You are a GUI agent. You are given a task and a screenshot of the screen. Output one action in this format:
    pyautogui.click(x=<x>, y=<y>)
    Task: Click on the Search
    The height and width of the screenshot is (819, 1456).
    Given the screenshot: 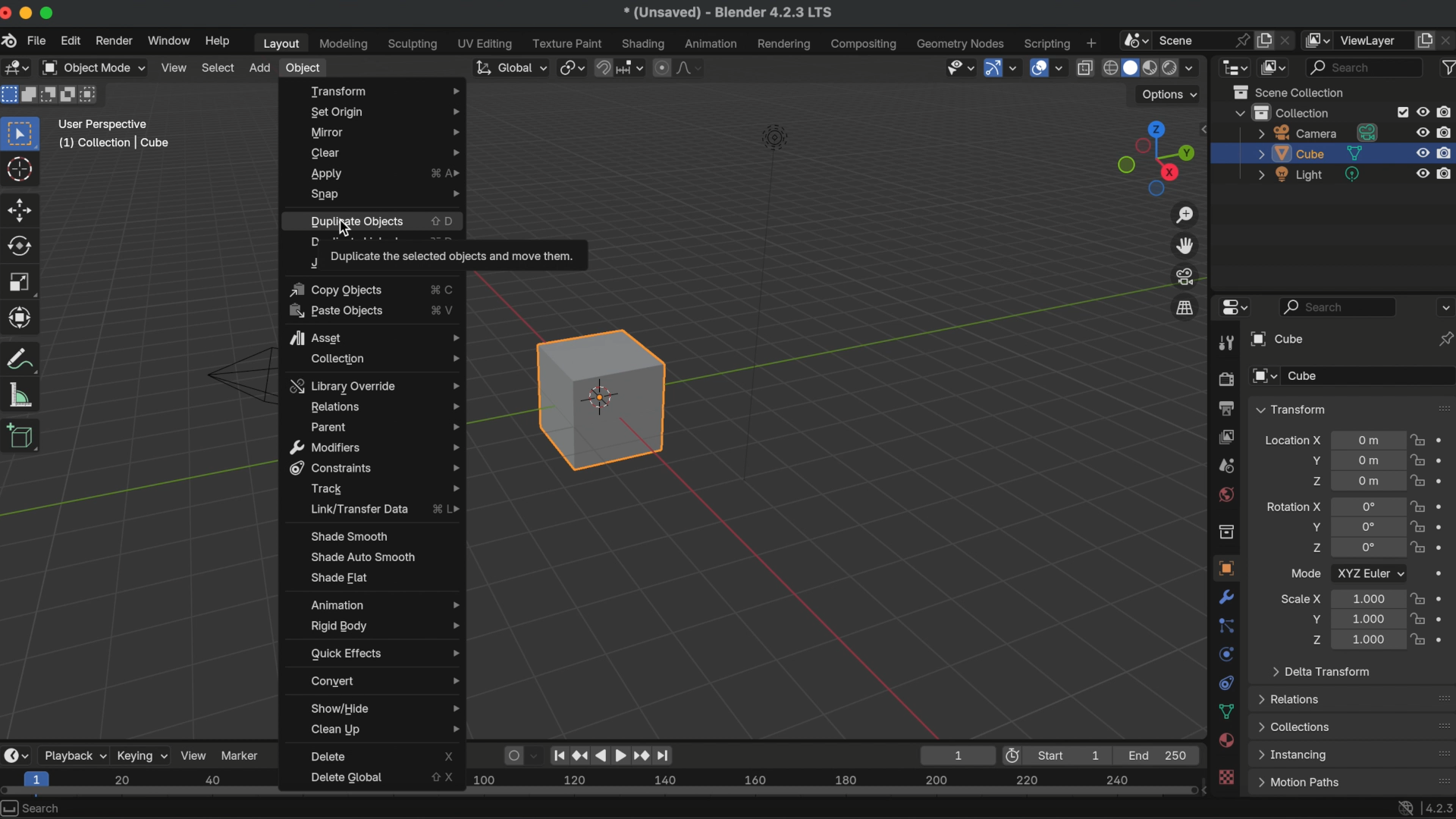 What is the action you would take?
    pyautogui.click(x=35, y=808)
    